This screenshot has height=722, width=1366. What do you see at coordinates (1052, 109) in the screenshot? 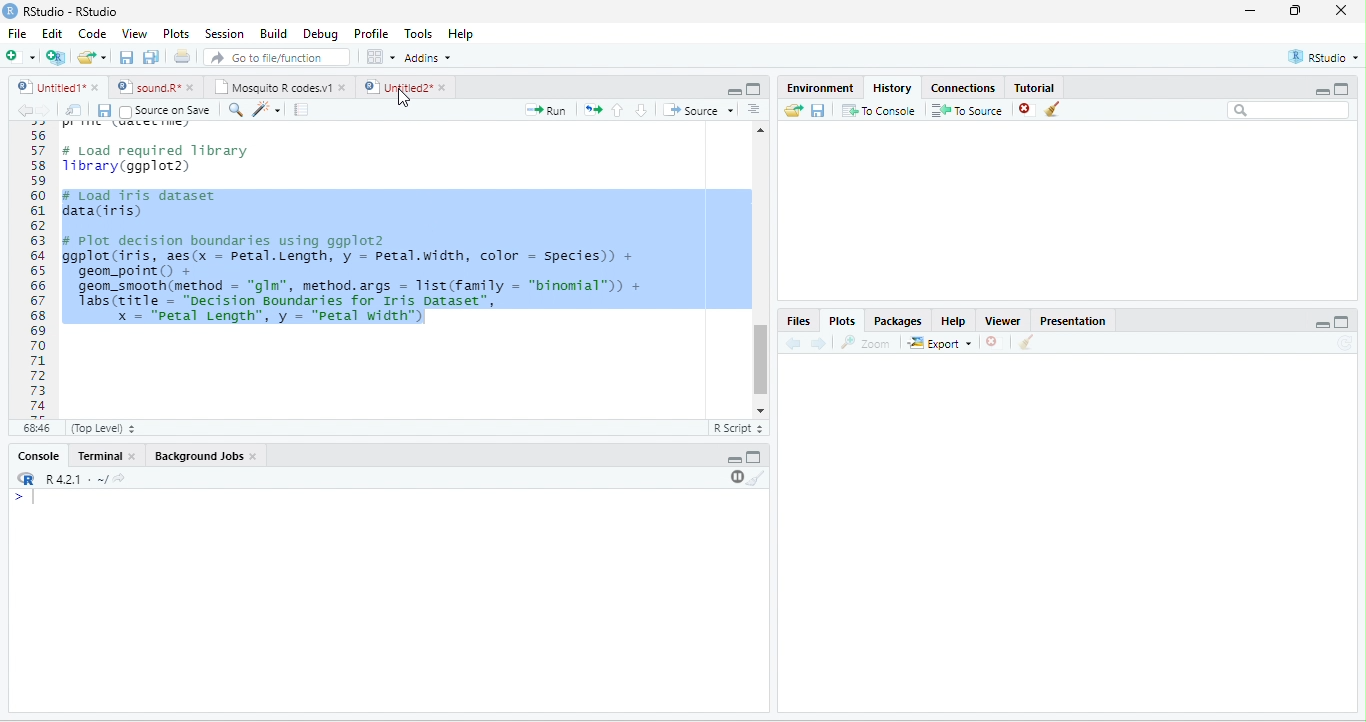
I see `clear` at bounding box center [1052, 109].